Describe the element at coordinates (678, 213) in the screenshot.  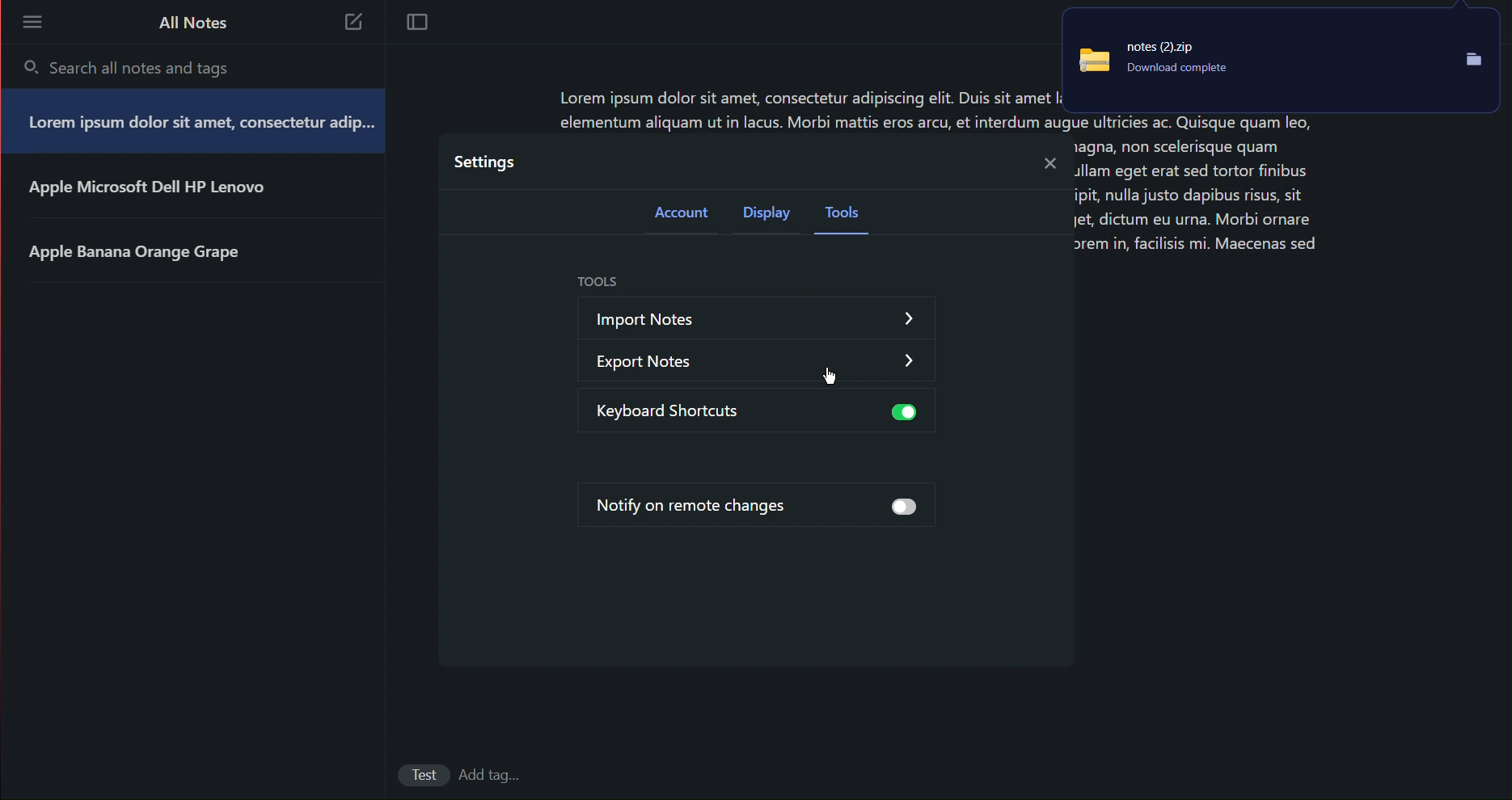
I see `Account` at that location.